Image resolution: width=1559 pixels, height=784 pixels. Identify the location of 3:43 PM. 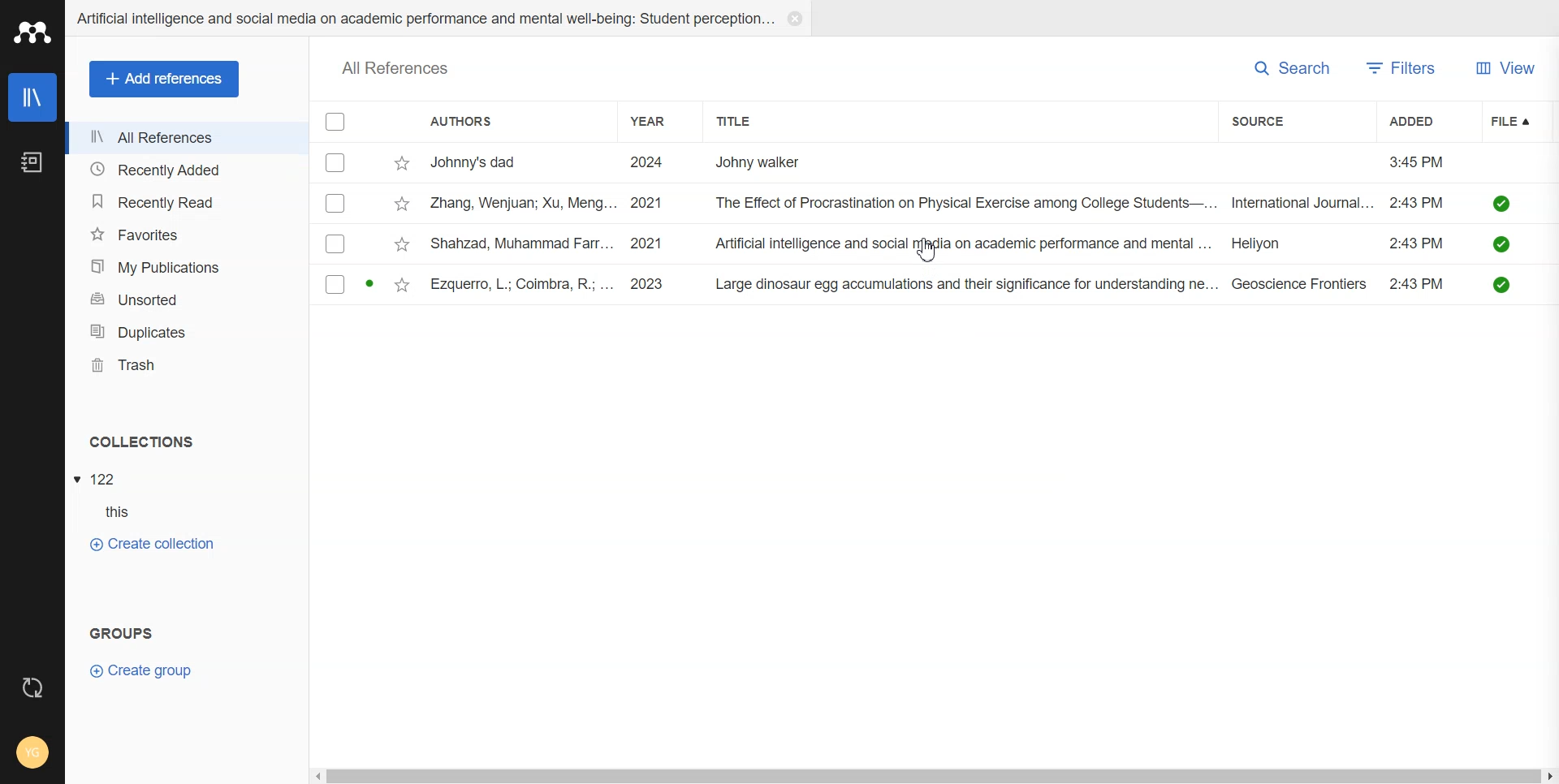
(1417, 284).